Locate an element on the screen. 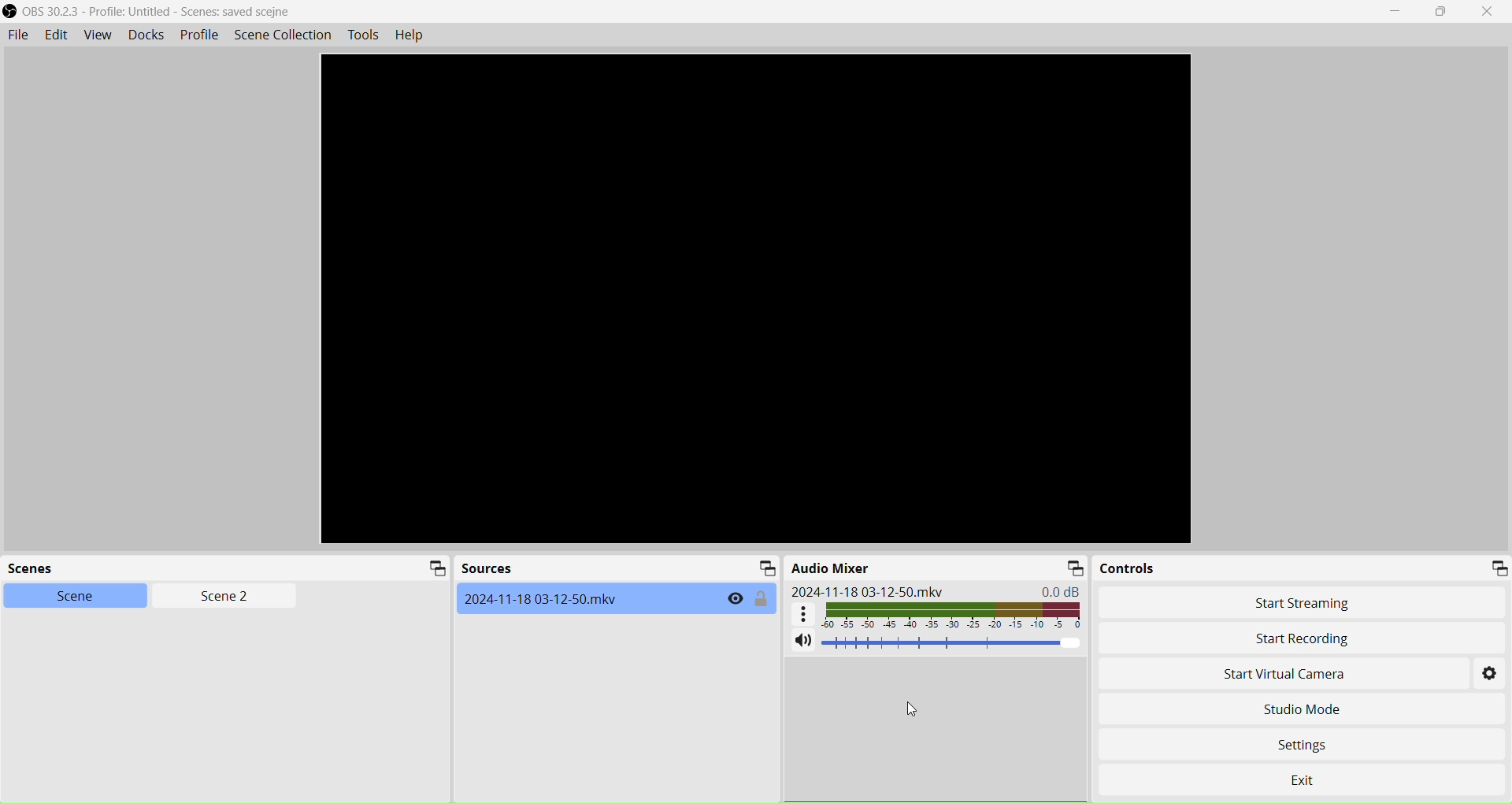  Box is located at coordinates (1444, 12).